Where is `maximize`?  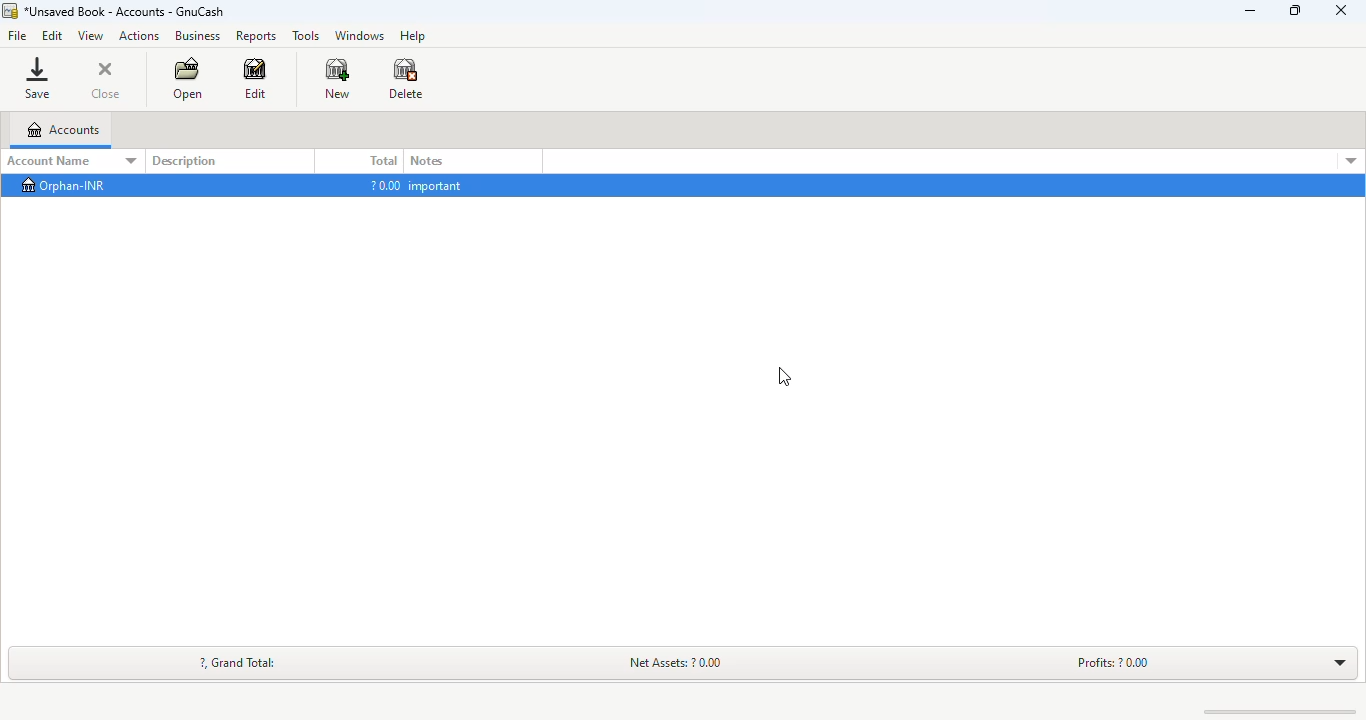
maximize is located at coordinates (1296, 11).